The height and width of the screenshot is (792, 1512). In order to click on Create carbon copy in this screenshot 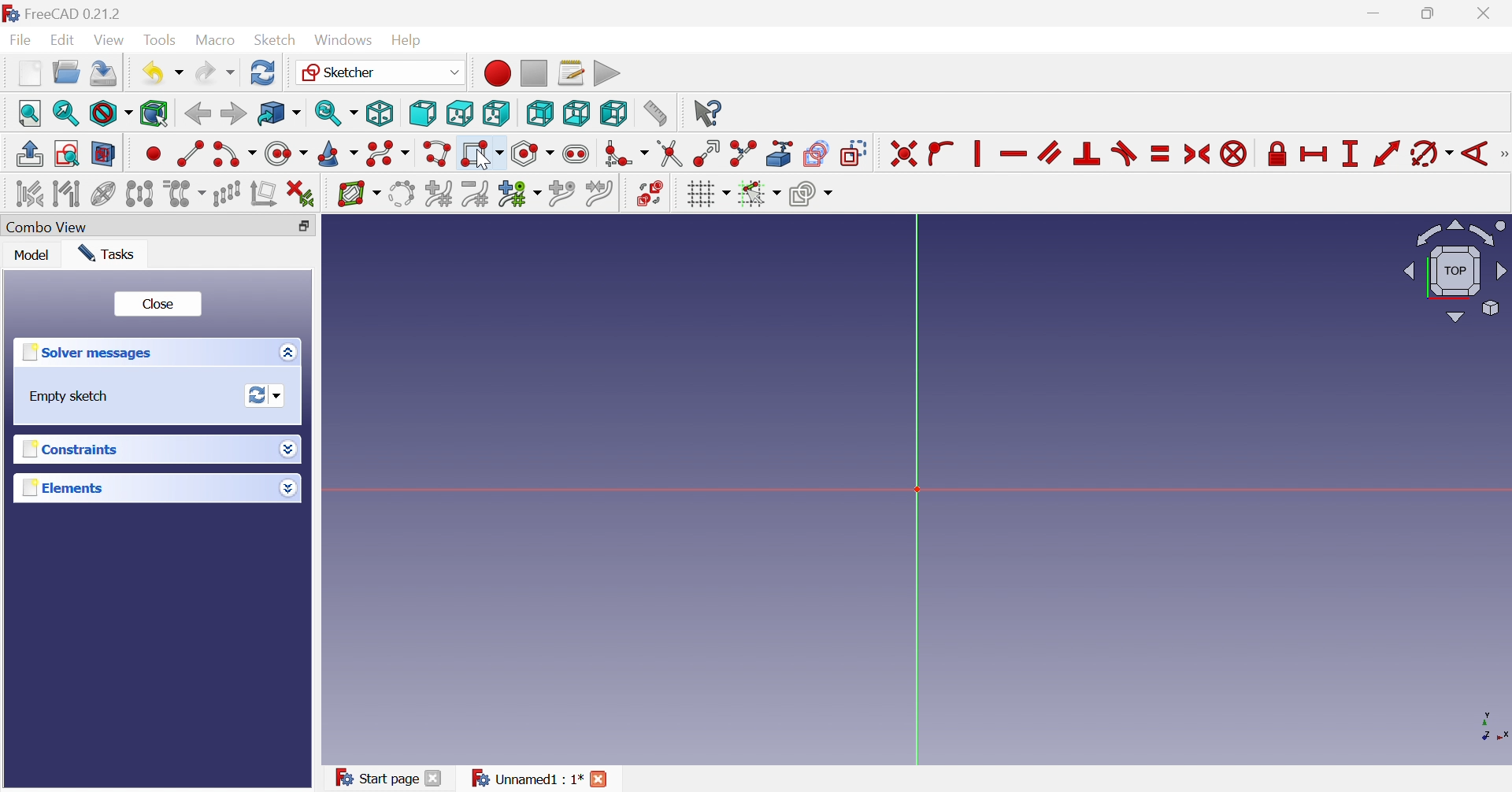, I will do `click(816, 153)`.